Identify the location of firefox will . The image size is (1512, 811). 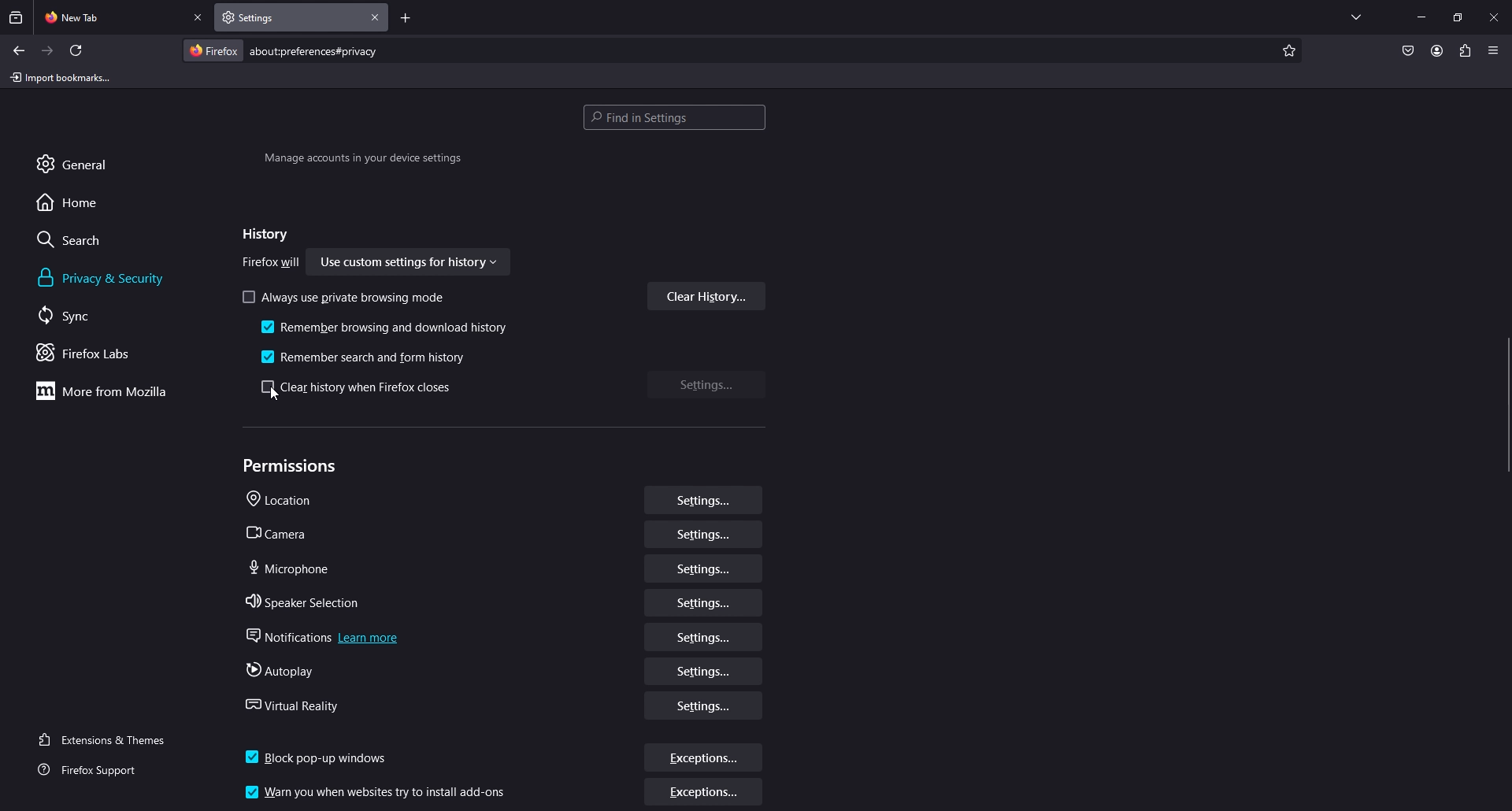
(272, 264).